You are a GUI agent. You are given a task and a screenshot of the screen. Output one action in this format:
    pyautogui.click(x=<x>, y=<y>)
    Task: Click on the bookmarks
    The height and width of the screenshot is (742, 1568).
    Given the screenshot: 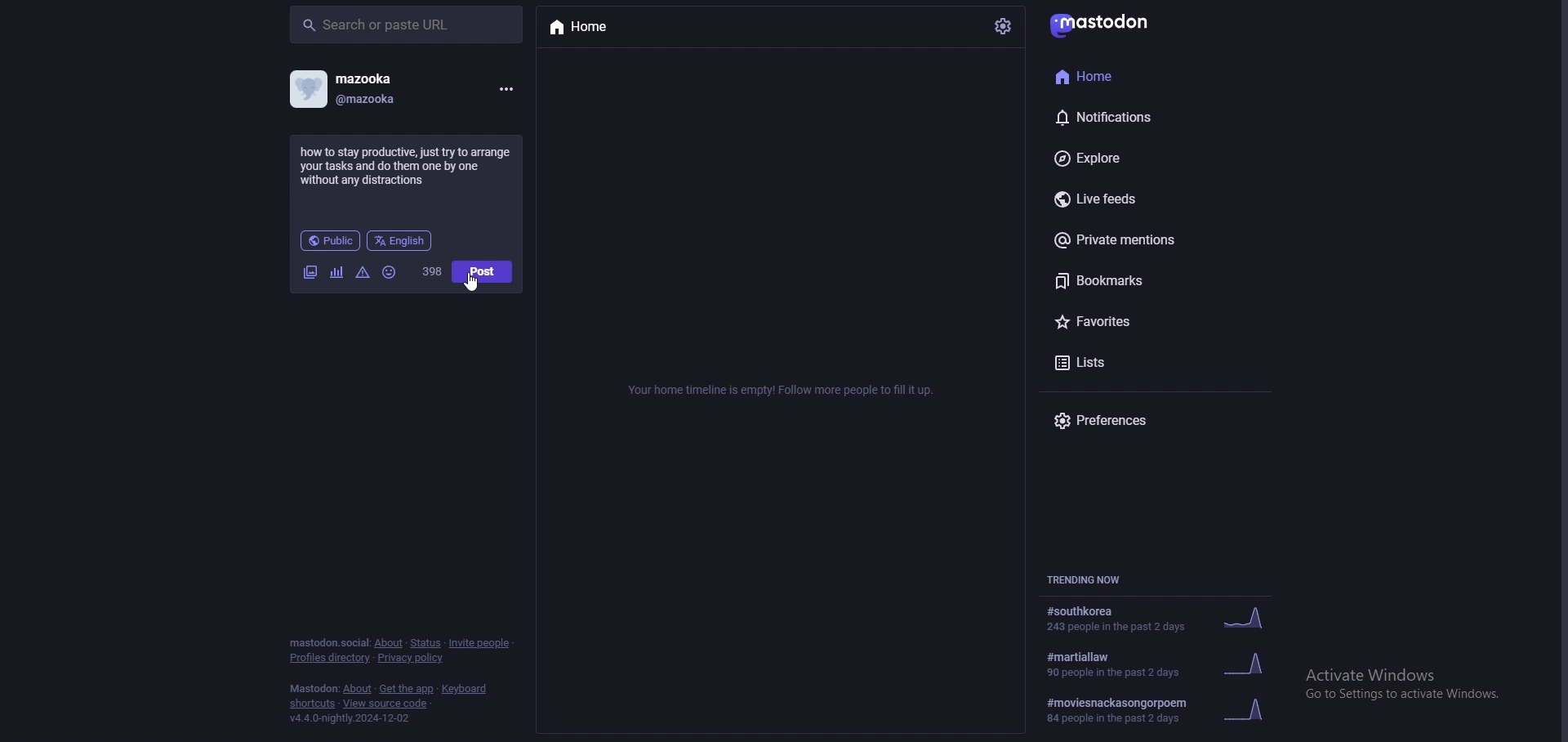 What is the action you would take?
    pyautogui.click(x=1142, y=280)
    